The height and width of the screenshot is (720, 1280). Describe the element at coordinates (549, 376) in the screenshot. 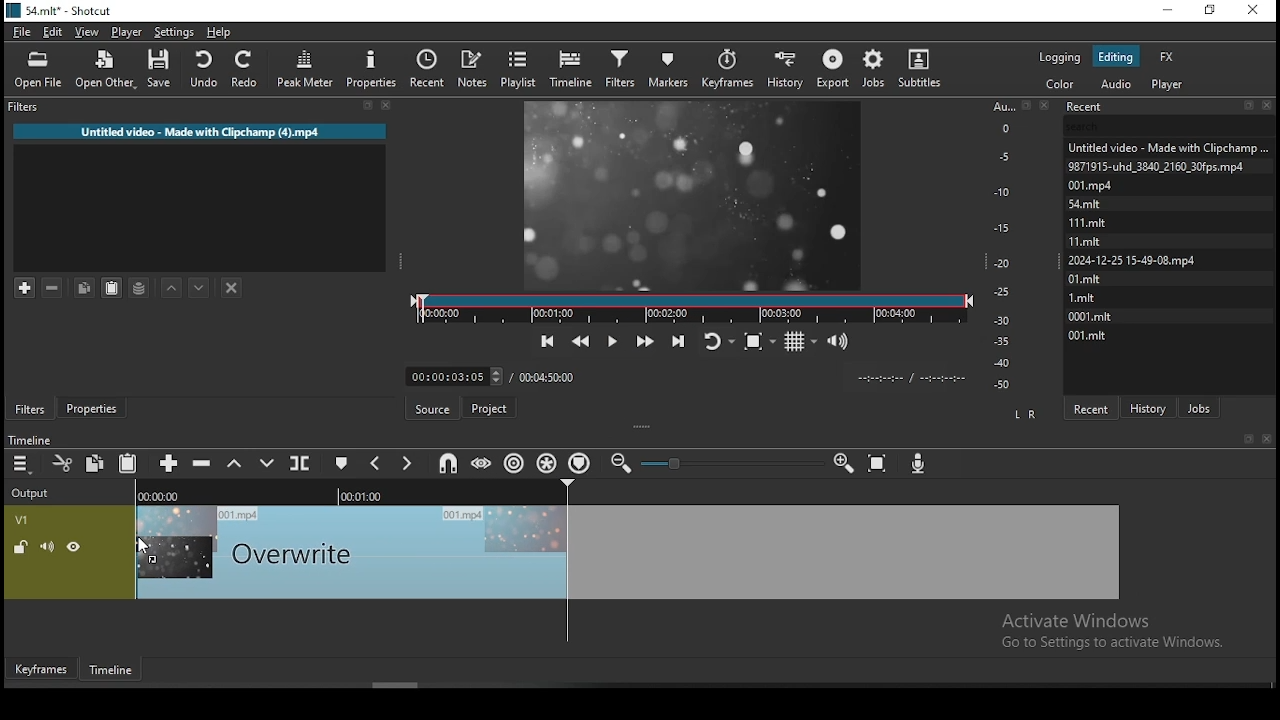

I see `total time` at that location.